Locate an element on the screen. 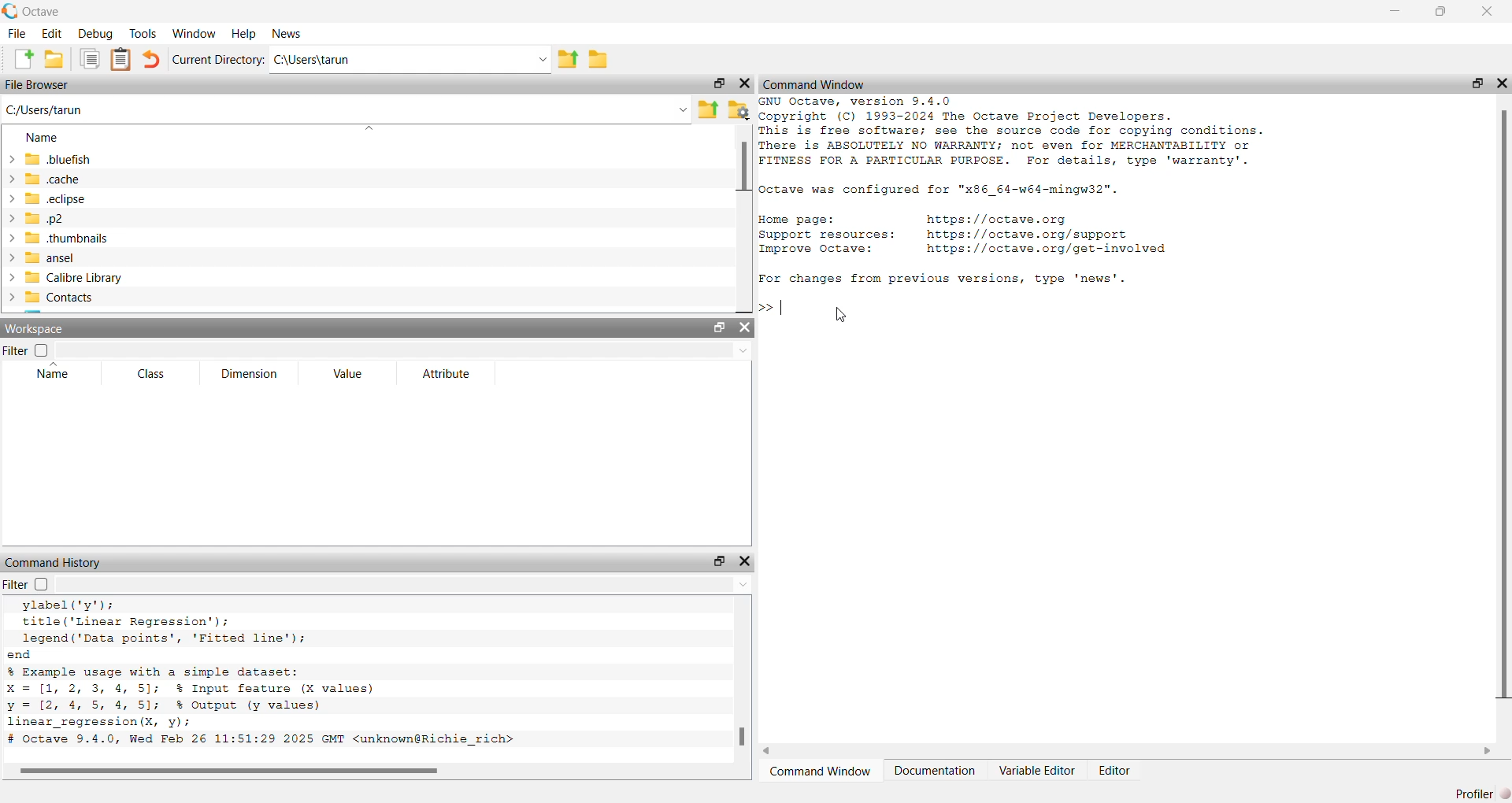  ansel is located at coordinates (140, 260).